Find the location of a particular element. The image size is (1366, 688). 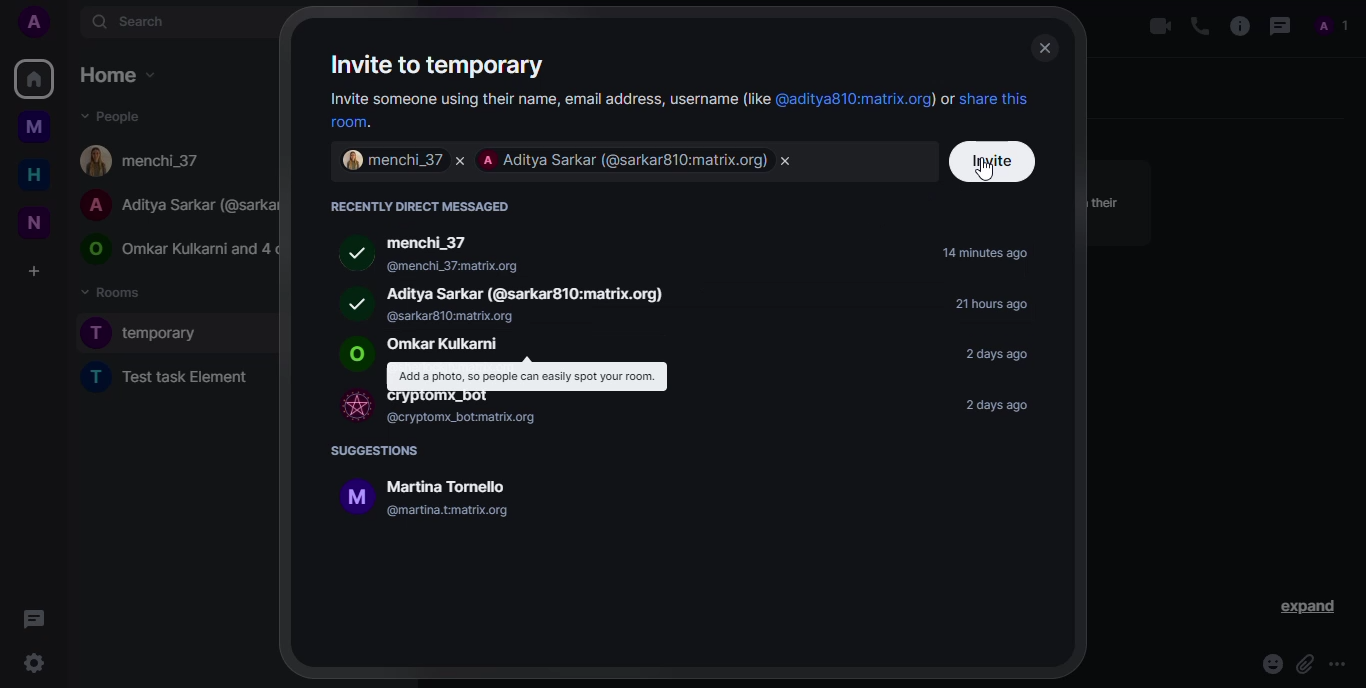

clear is located at coordinates (456, 160).